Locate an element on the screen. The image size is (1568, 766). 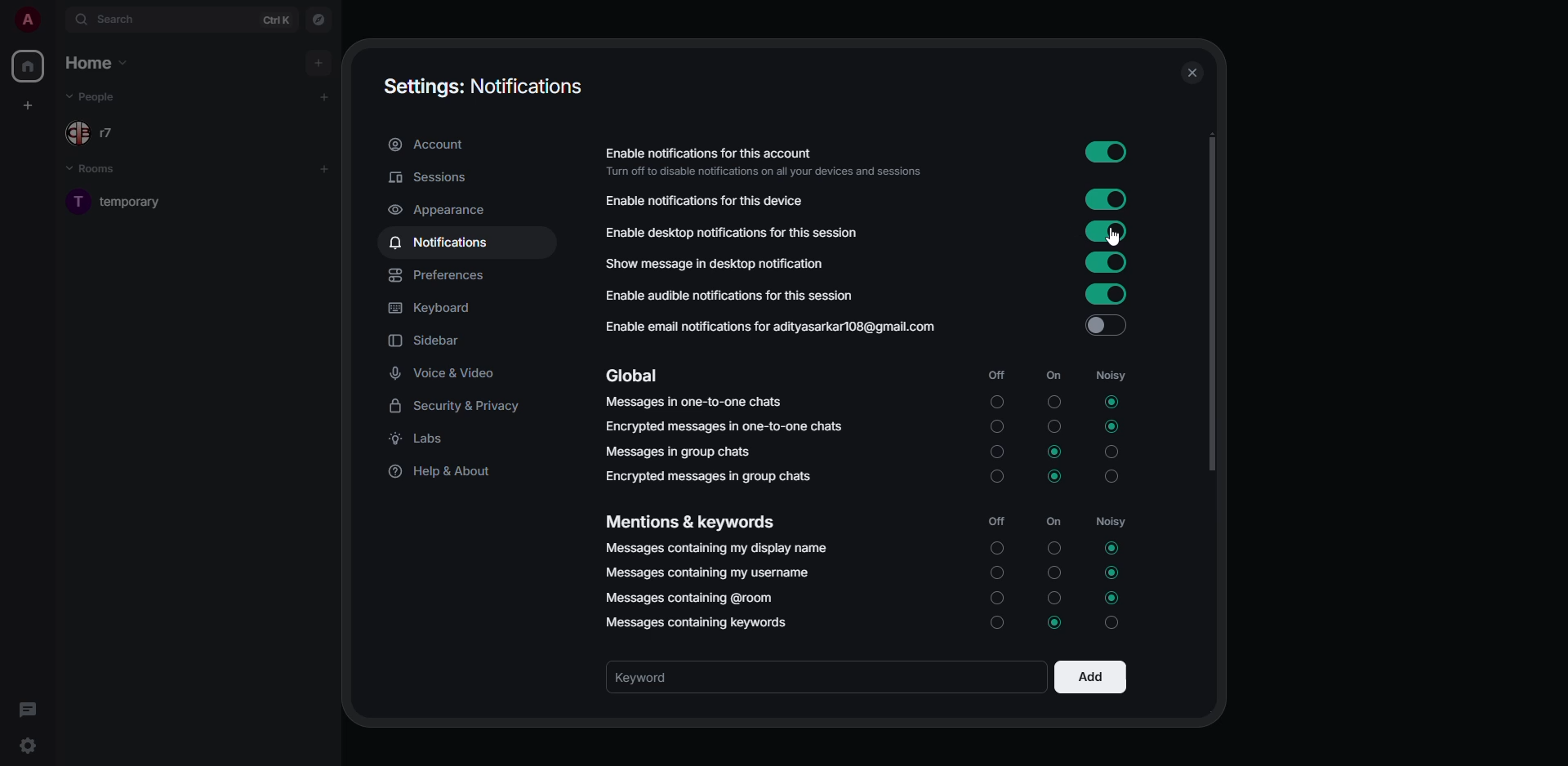
enable desktop notifications for this session is located at coordinates (733, 233).